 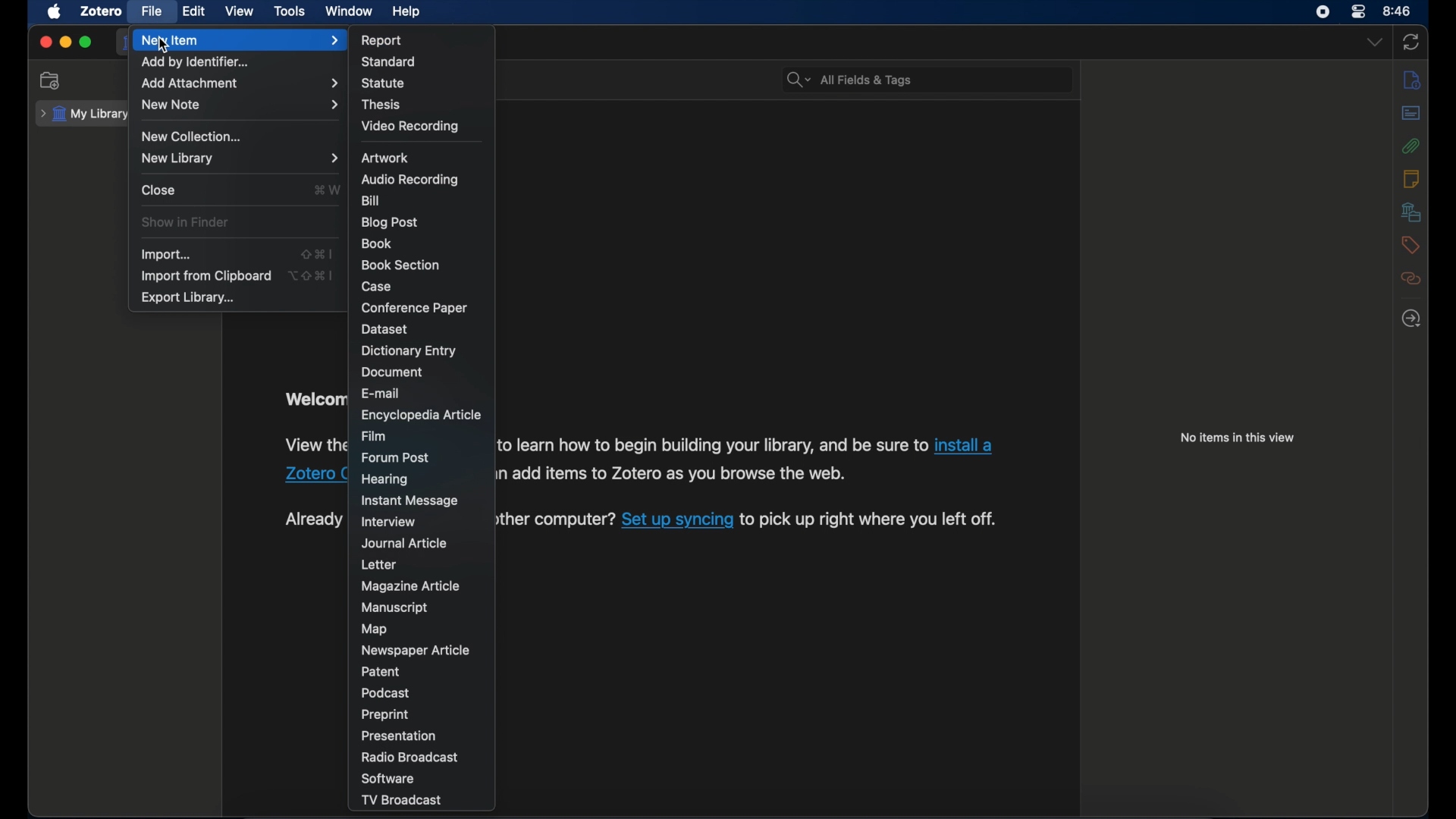 What do you see at coordinates (45, 42) in the screenshot?
I see `close` at bounding box center [45, 42].